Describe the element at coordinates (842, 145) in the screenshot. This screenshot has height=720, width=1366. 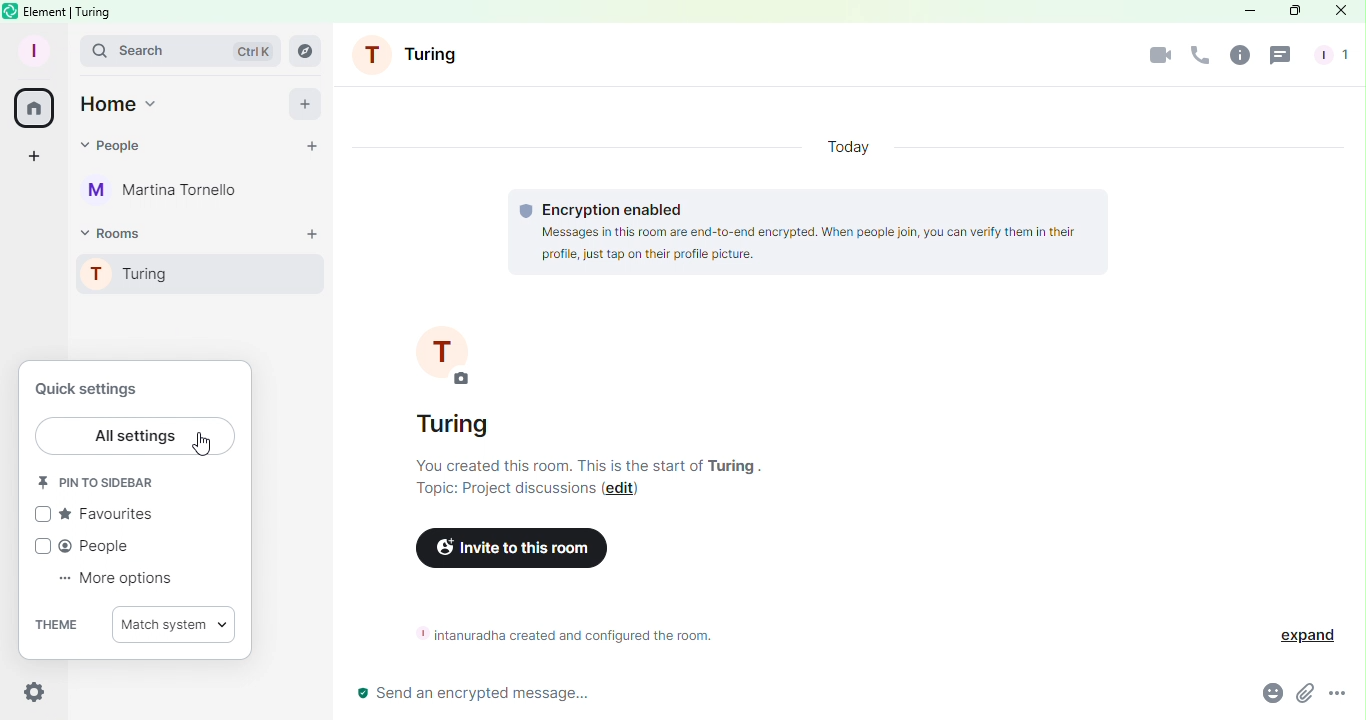
I see `Today` at that location.